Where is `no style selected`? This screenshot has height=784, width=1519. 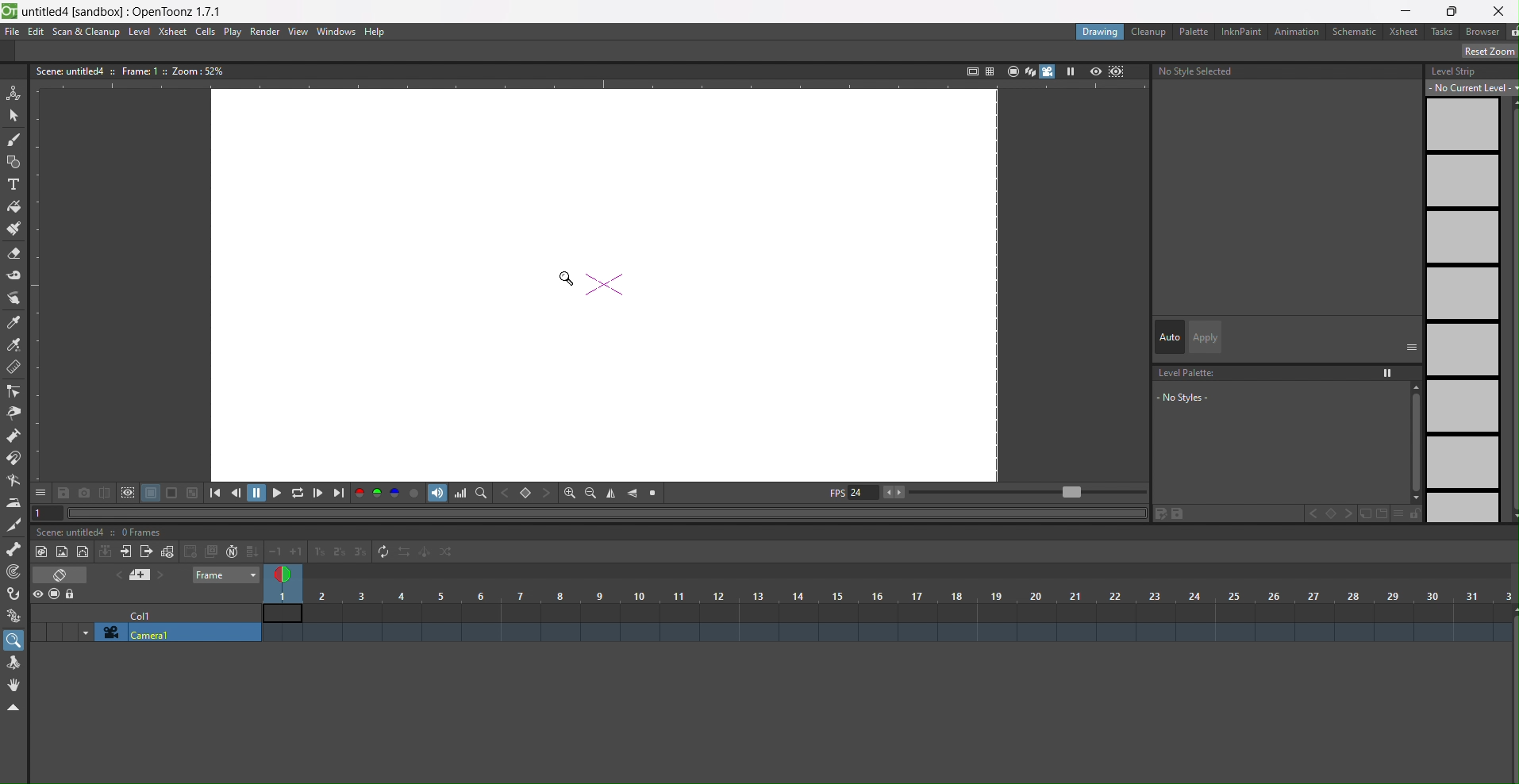 no style selected is located at coordinates (1196, 75).